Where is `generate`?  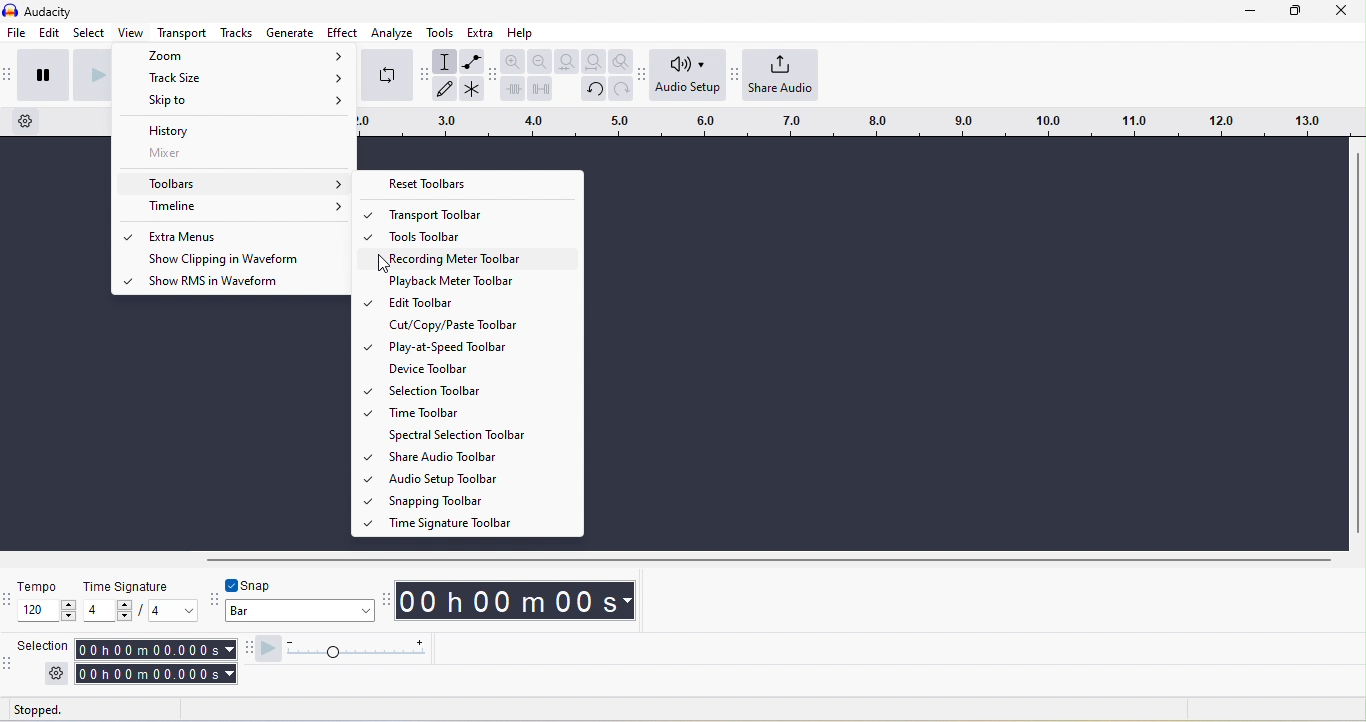 generate is located at coordinates (290, 32).